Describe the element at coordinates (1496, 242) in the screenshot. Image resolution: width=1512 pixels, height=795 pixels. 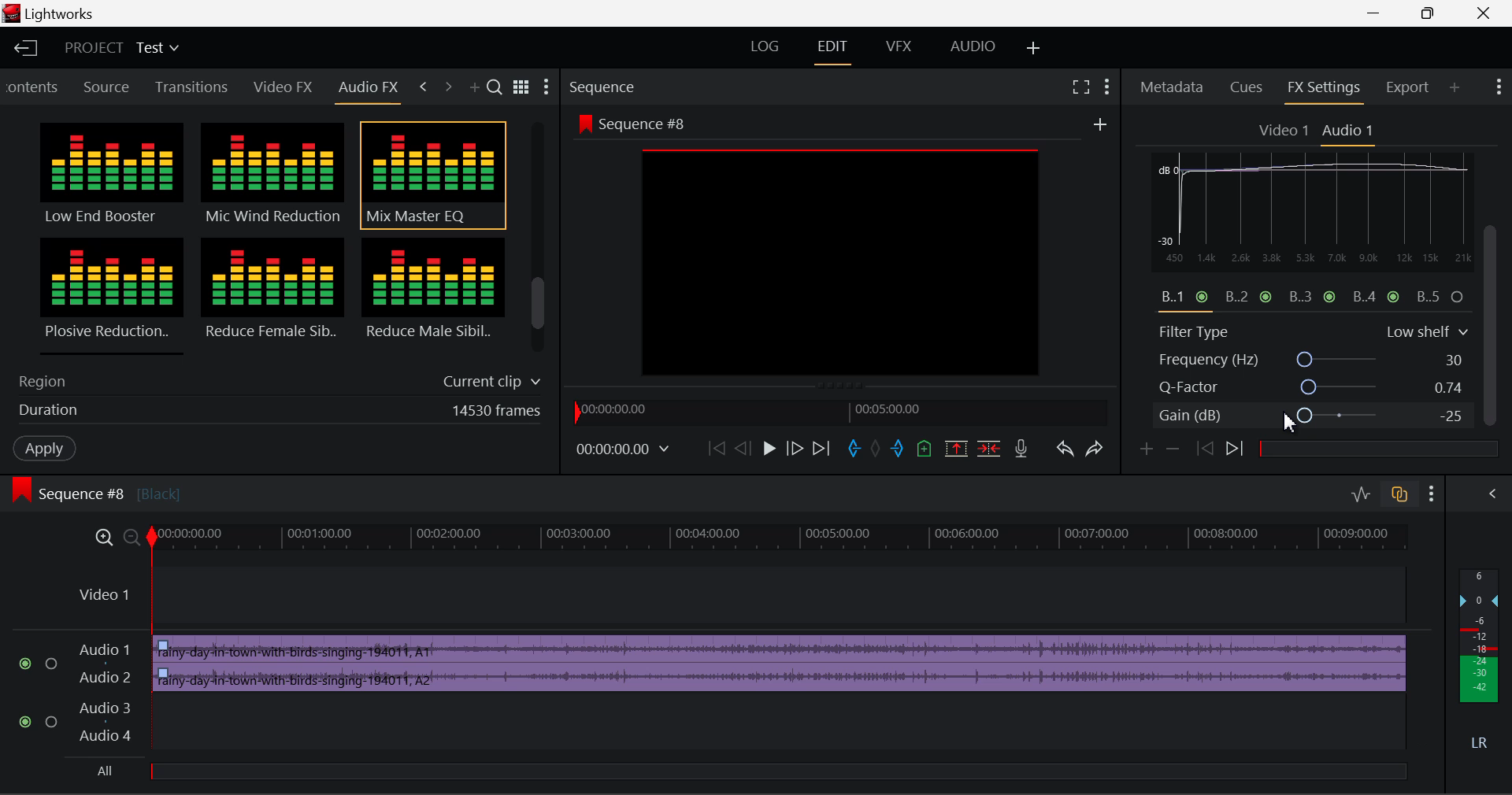
I see `MOUSE_DOWN Cursor Position` at that location.